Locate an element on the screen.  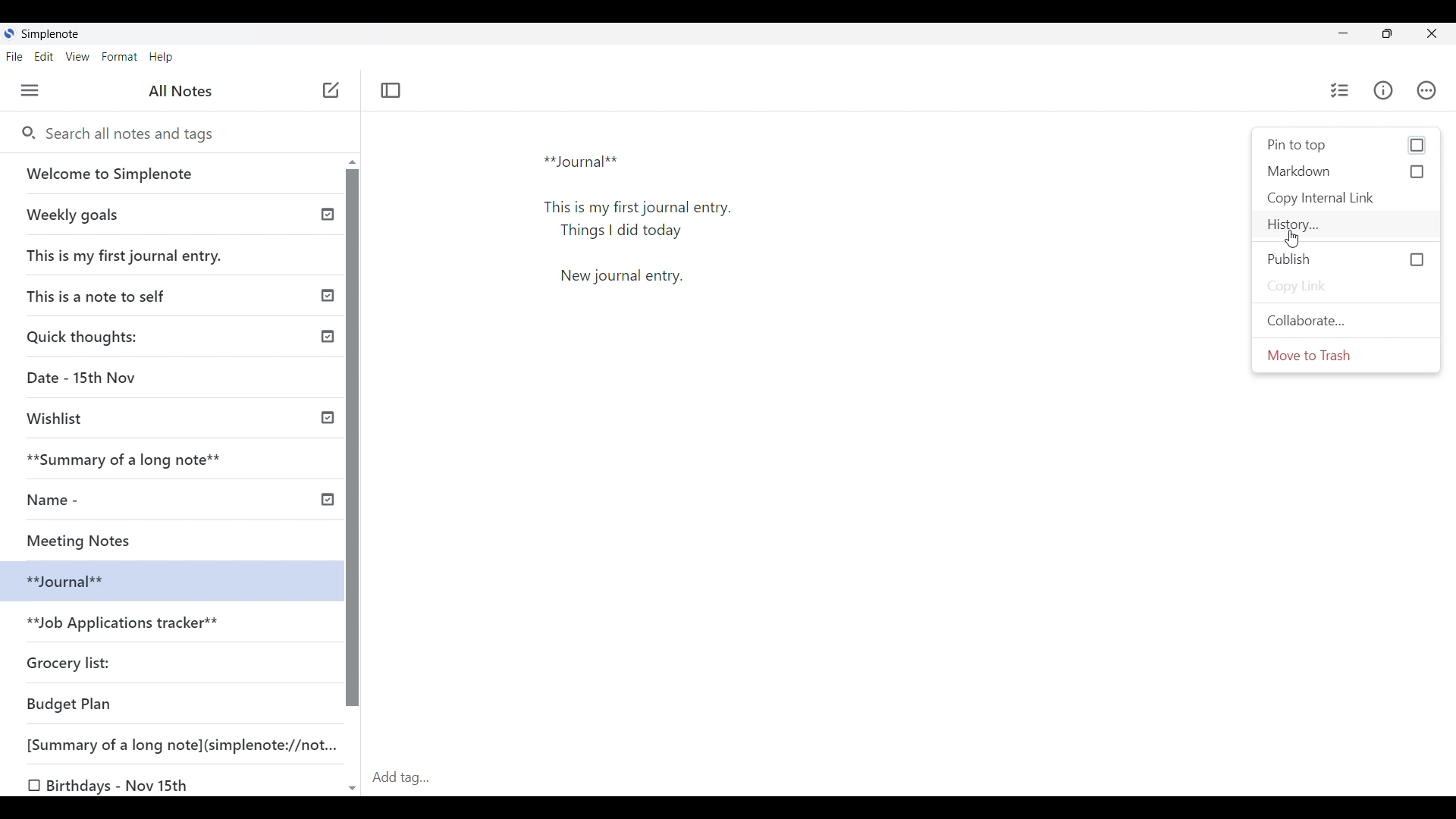
Move to trash is located at coordinates (1346, 356).